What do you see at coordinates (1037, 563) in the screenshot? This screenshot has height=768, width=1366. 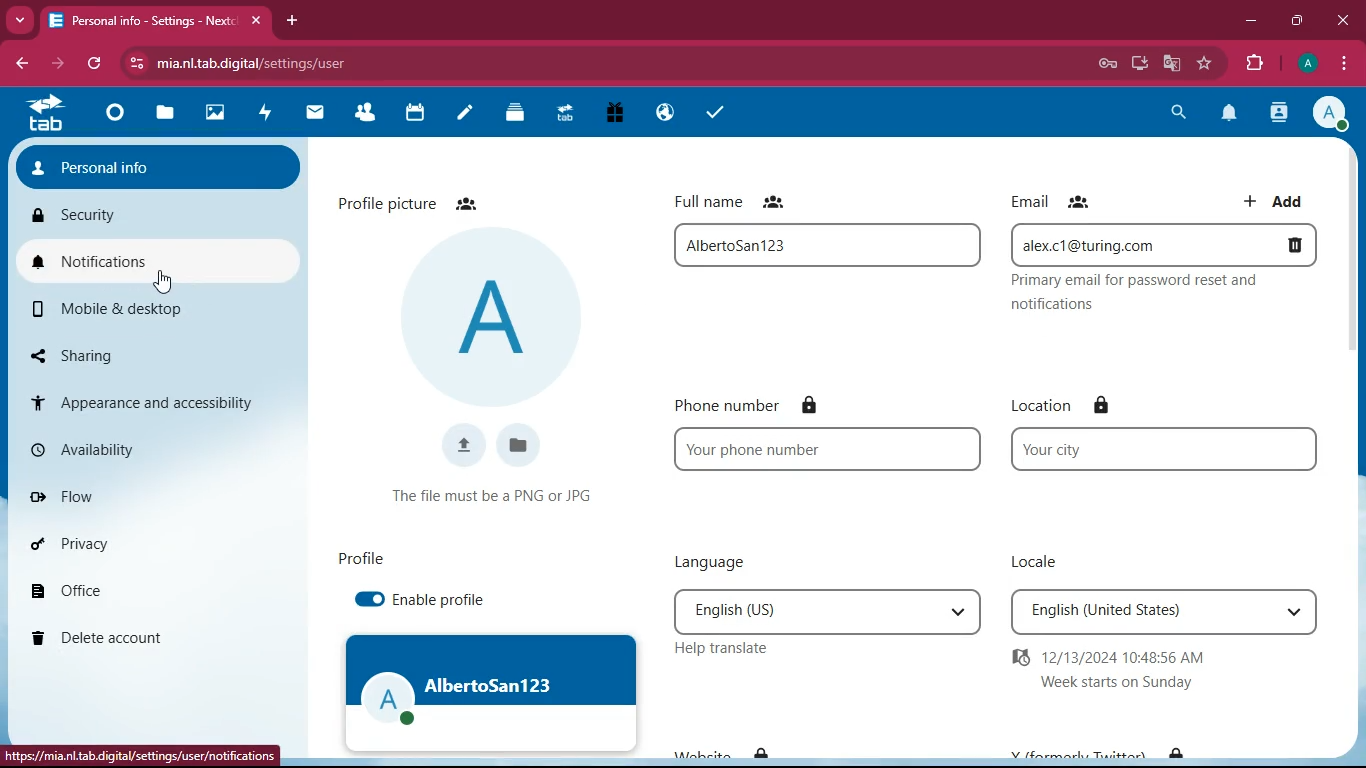 I see `locale` at bounding box center [1037, 563].